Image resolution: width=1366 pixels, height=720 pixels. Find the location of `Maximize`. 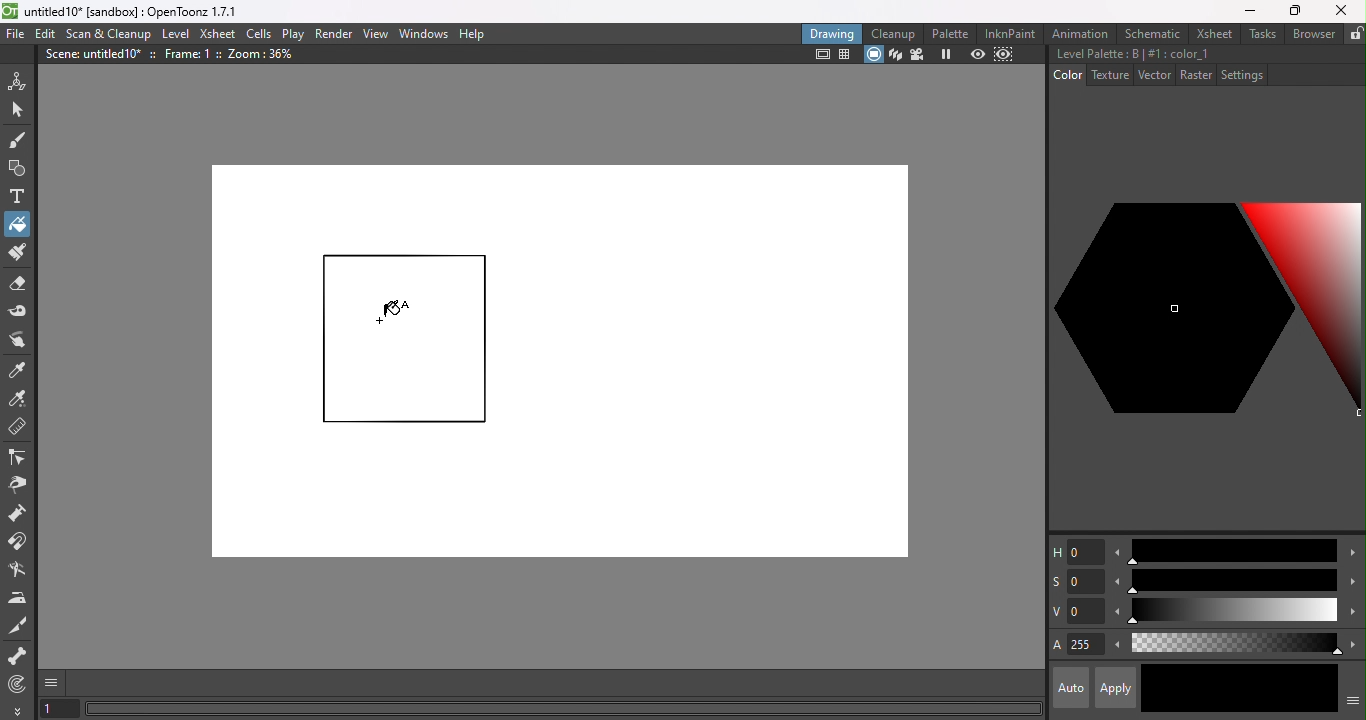

Maximize is located at coordinates (1292, 12).